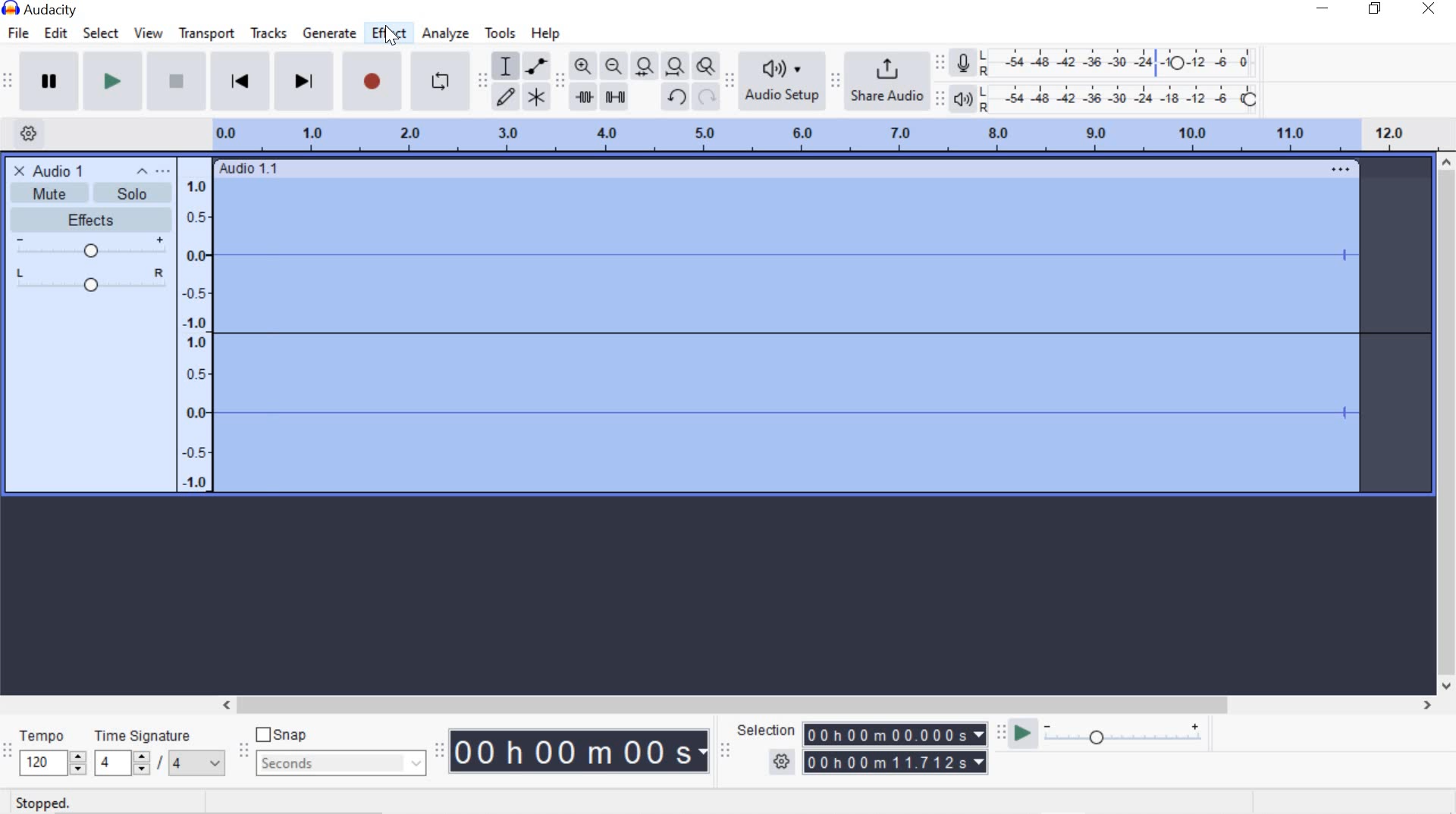 This screenshot has height=814, width=1456. Describe the element at coordinates (538, 65) in the screenshot. I see `Envelope Tool` at that location.